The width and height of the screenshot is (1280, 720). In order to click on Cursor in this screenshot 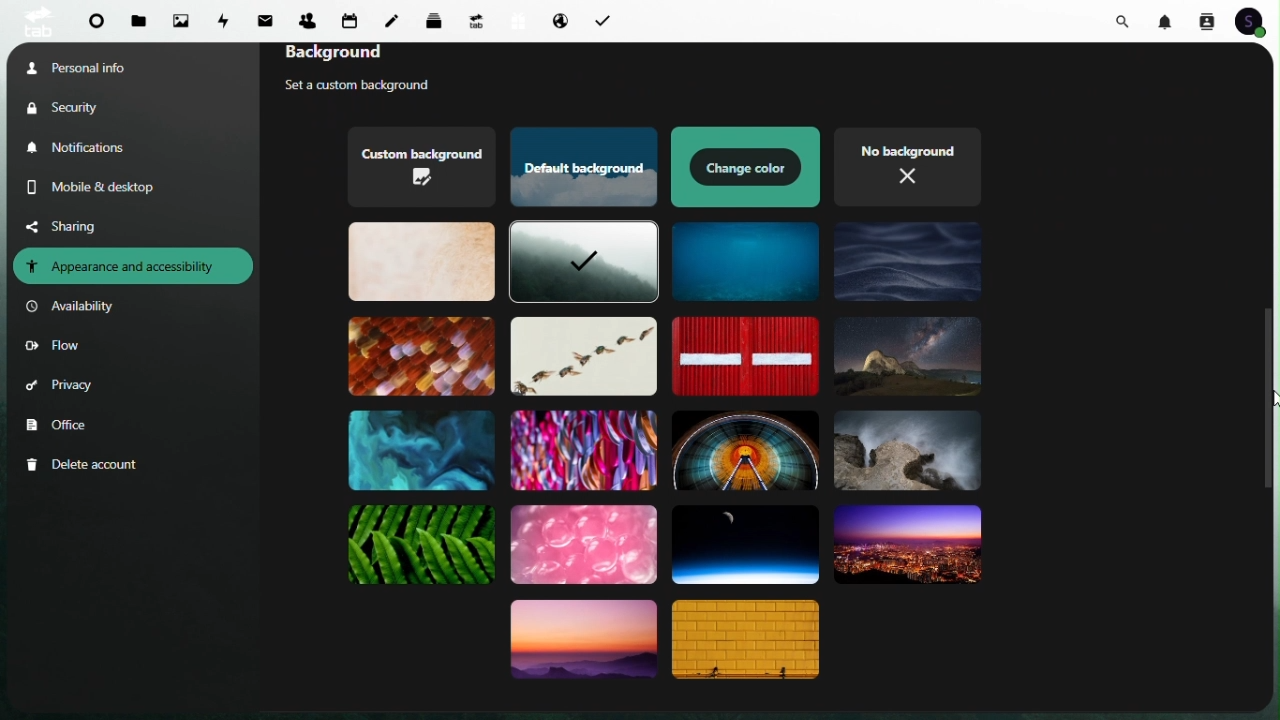, I will do `click(1272, 400)`.